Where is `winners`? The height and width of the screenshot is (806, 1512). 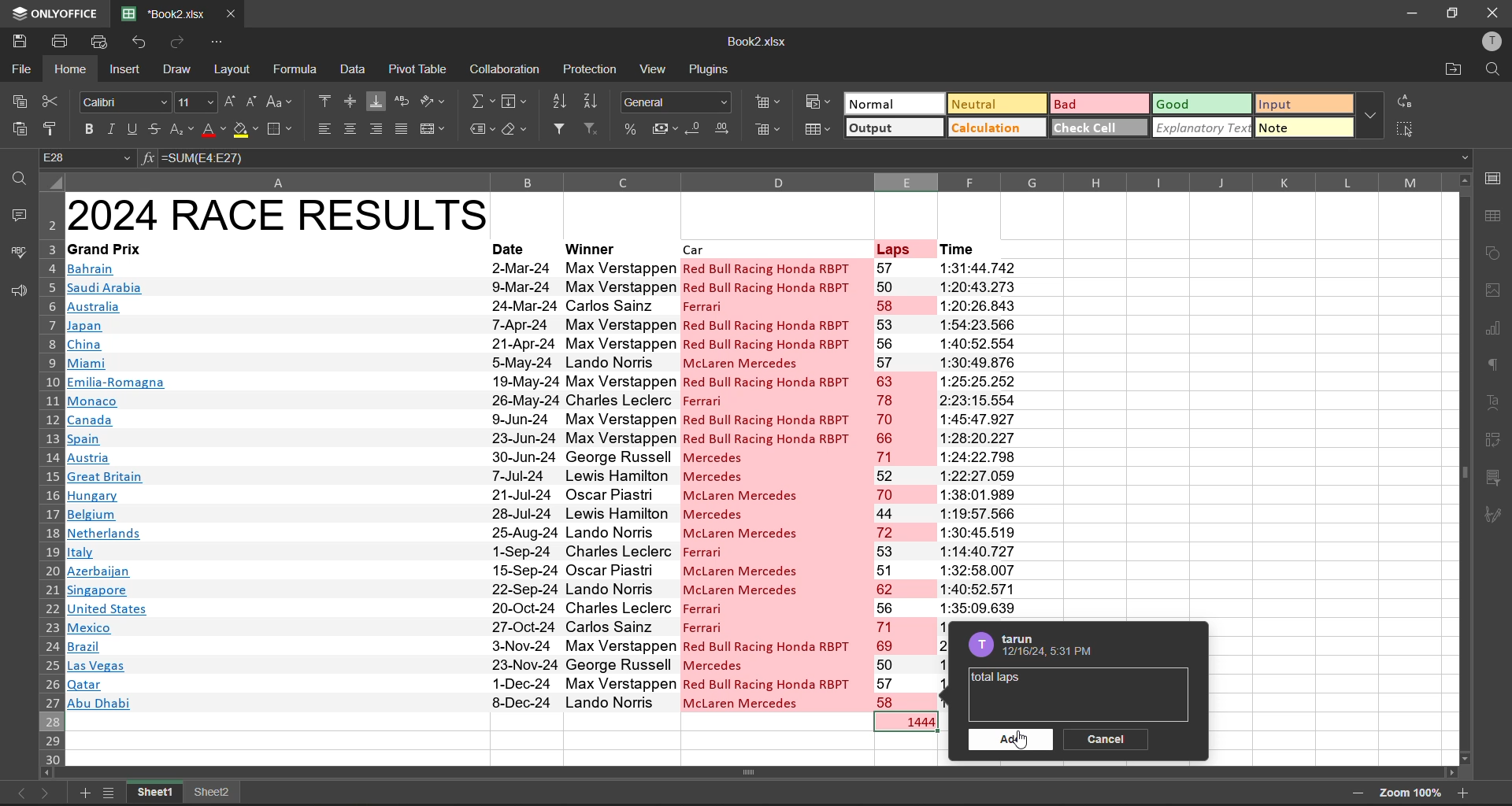 winners is located at coordinates (619, 483).